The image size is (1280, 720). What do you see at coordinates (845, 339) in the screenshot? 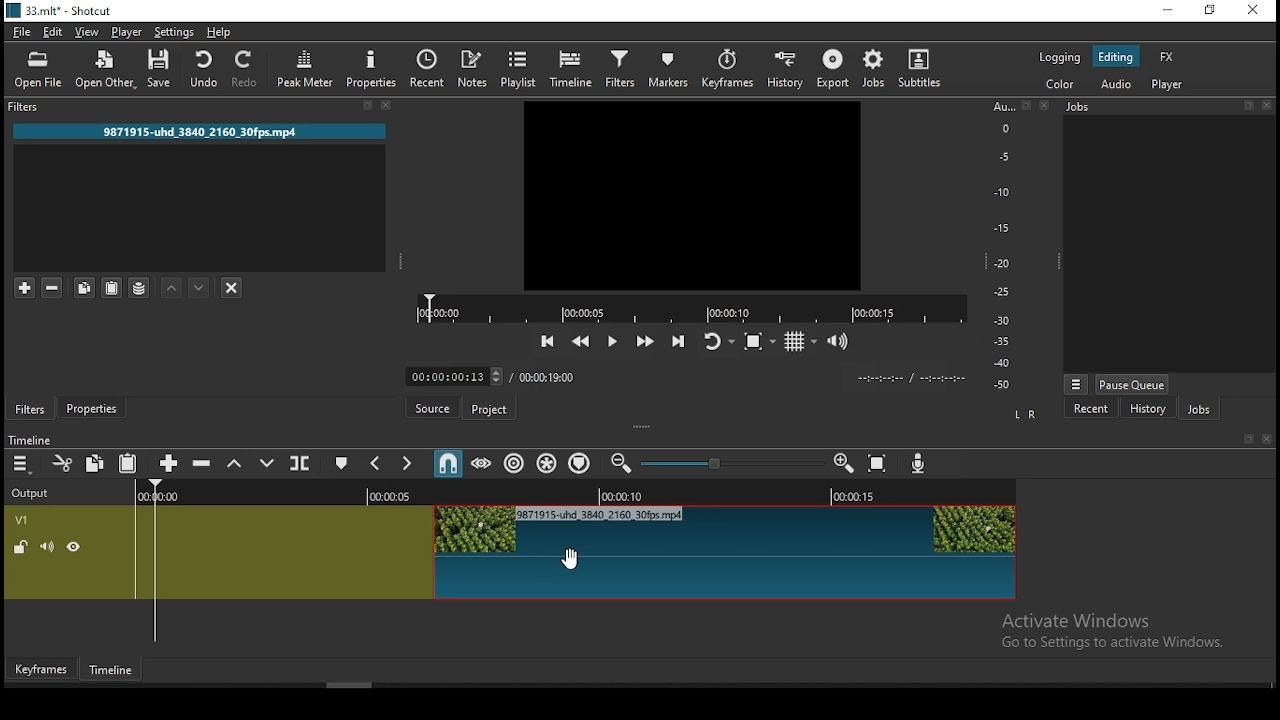
I see `show video volume control` at bounding box center [845, 339].